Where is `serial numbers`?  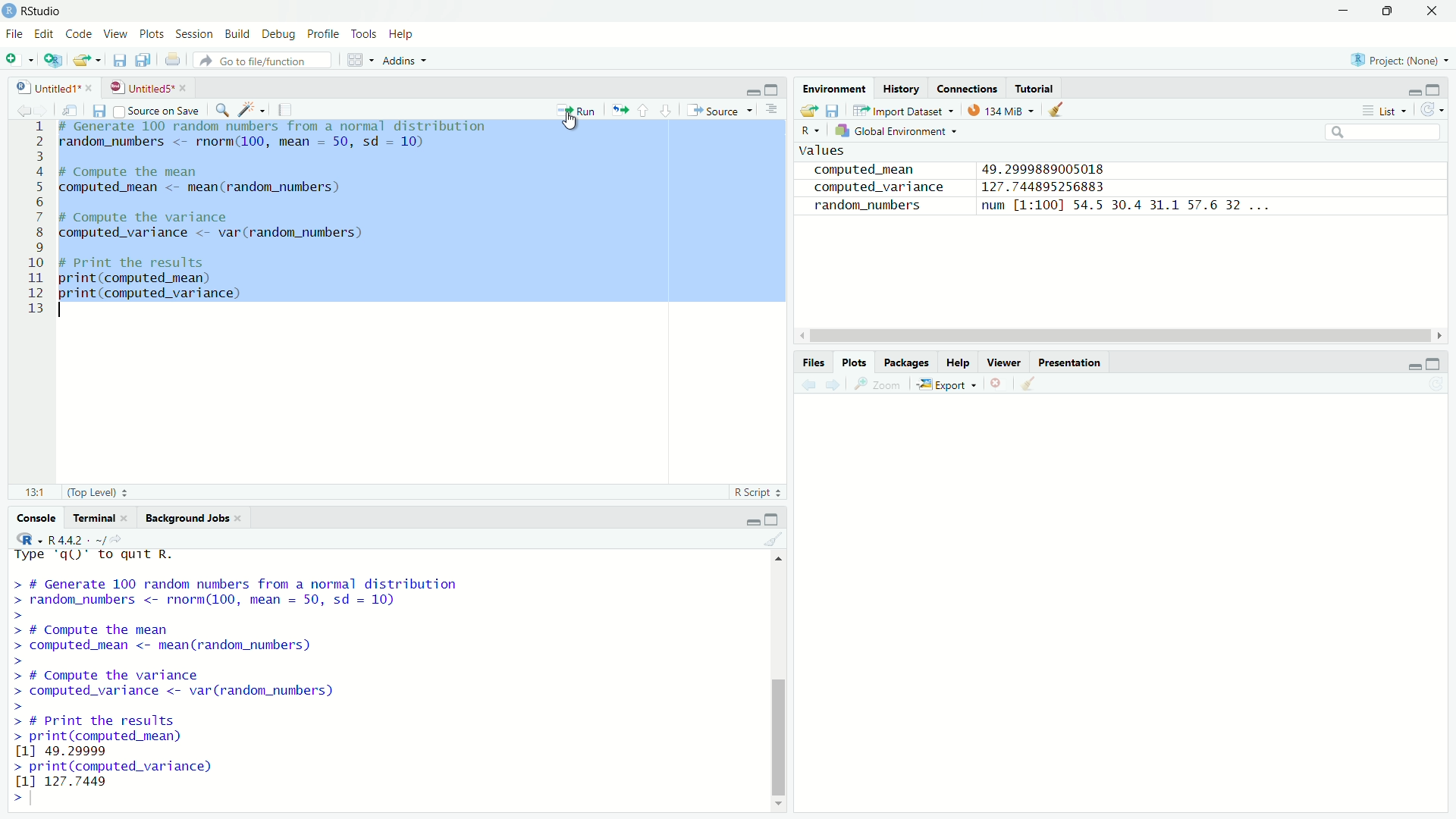
serial numbers is located at coordinates (30, 218).